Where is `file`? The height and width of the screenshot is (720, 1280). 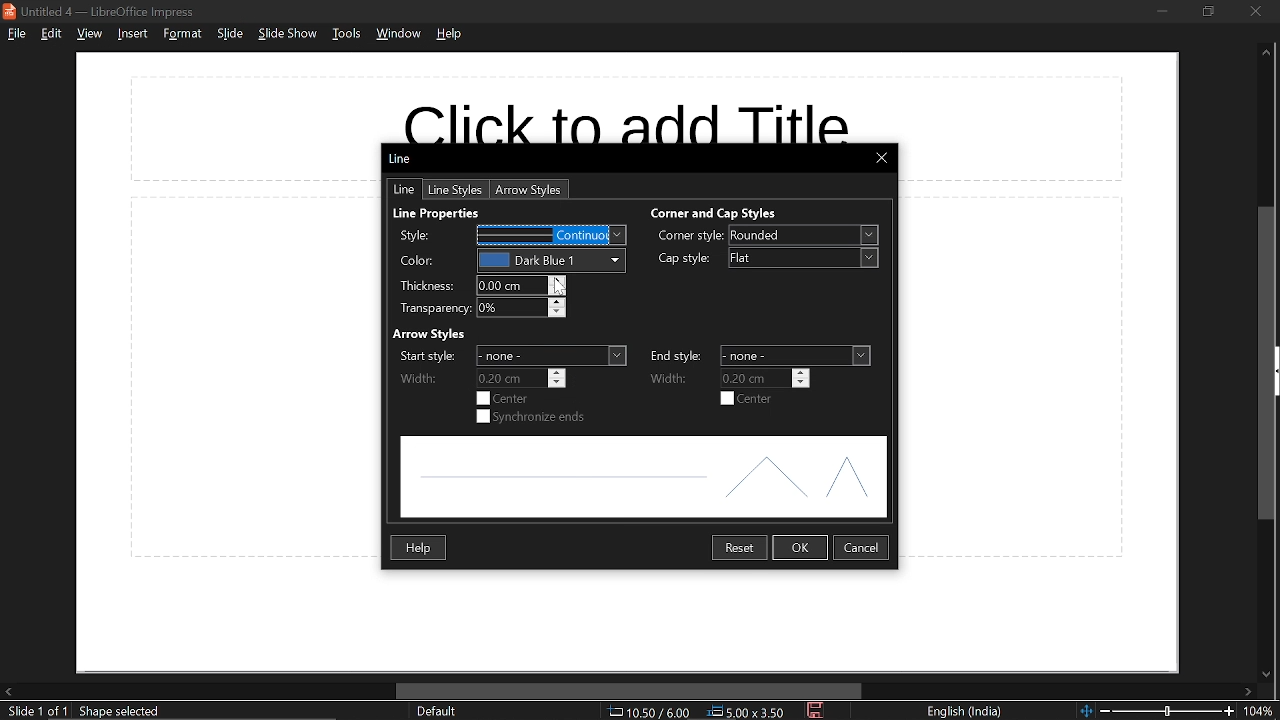
file is located at coordinates (18, 35).